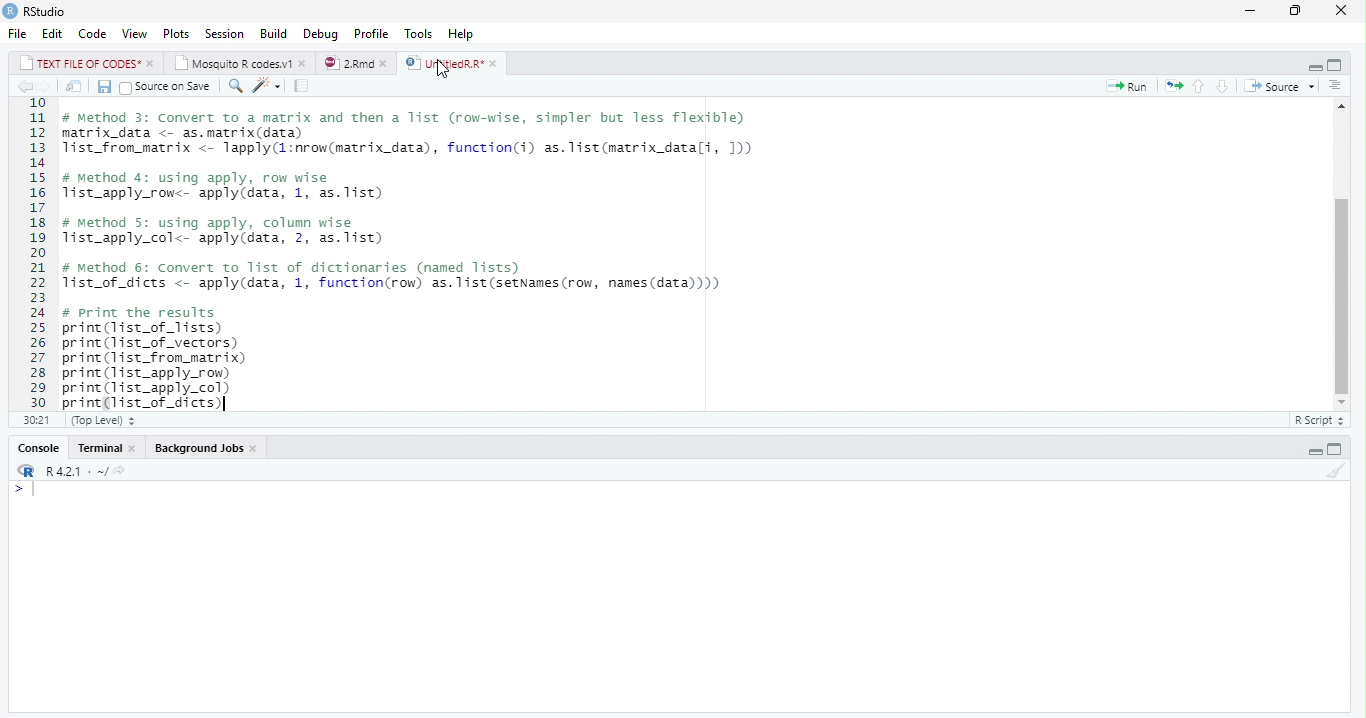  I want to click on Save, so click(103, 87).